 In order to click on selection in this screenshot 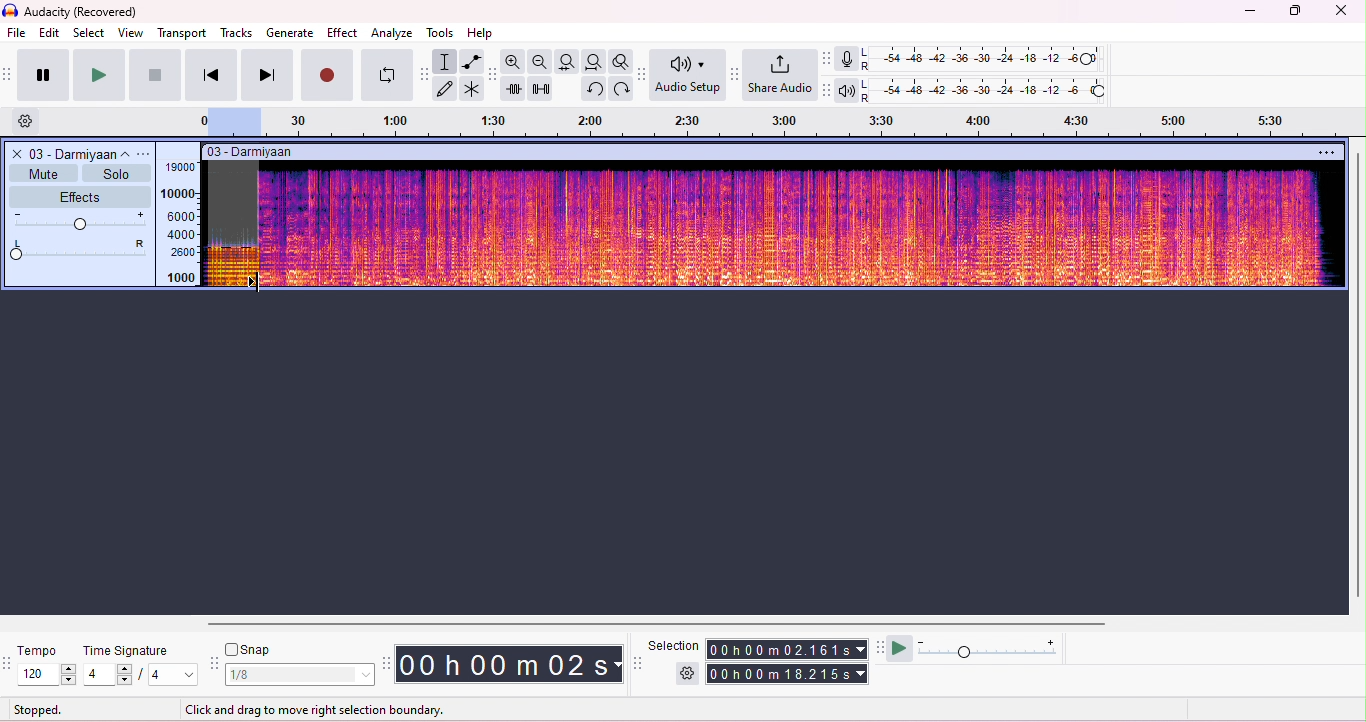, I will do `click(447, 62)`.